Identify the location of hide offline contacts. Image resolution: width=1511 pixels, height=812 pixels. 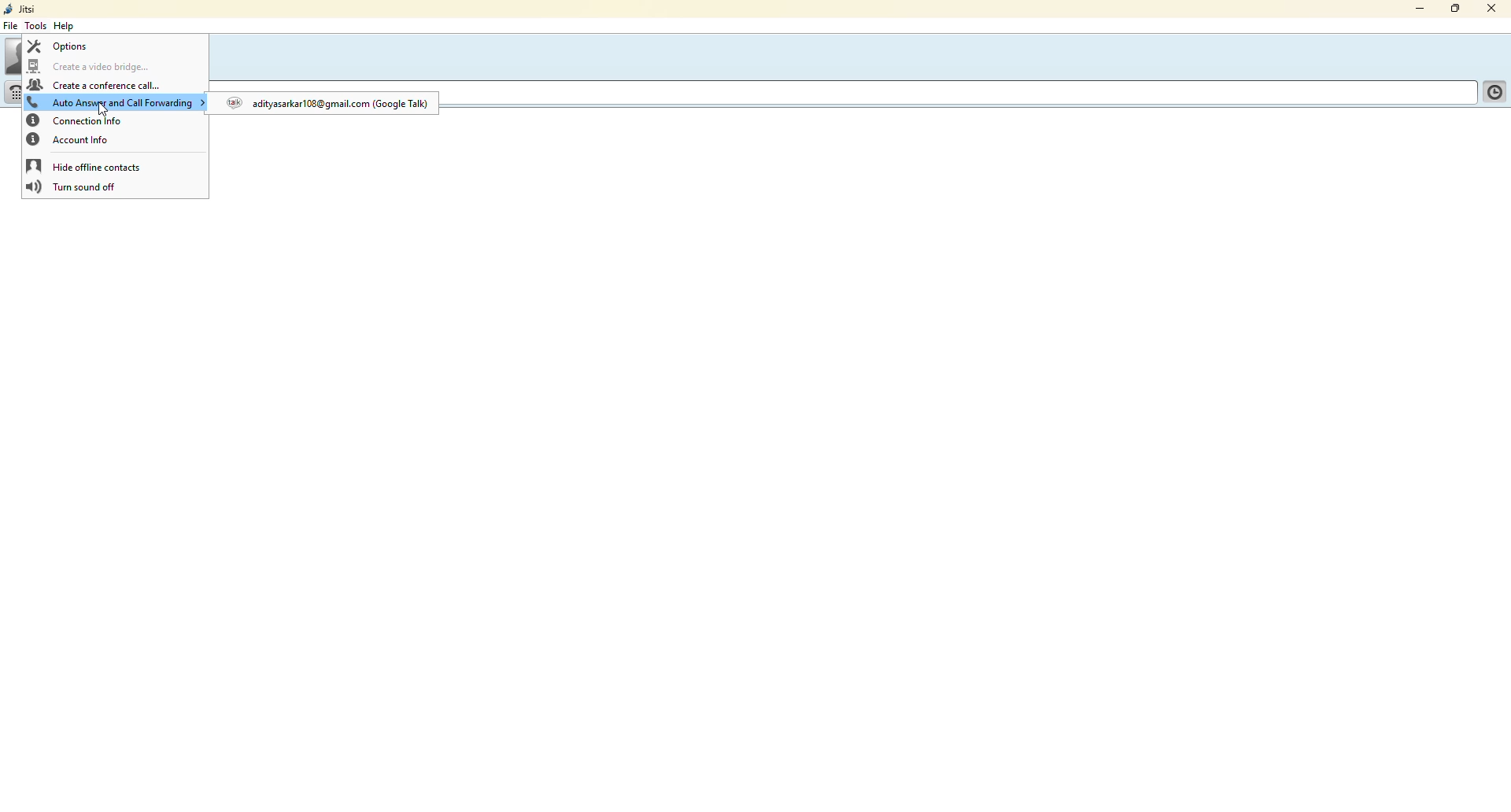
(87, 167).